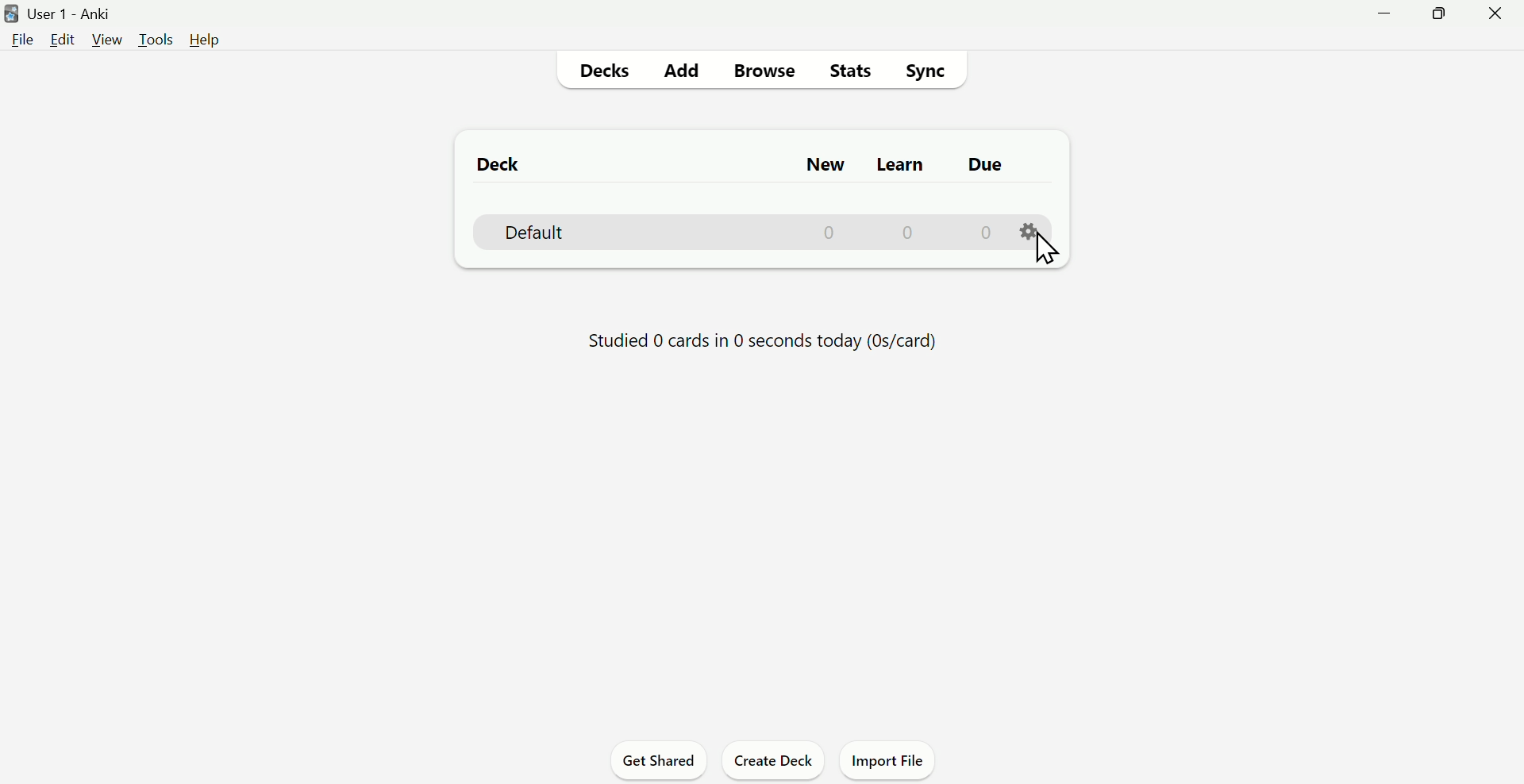 Image resolution: width=1524 pixels, height=784 pixels. What do you see at coordinates (1381, 18) in the screenshot?
I see `Minimize` at bounding box center [1381, 18].